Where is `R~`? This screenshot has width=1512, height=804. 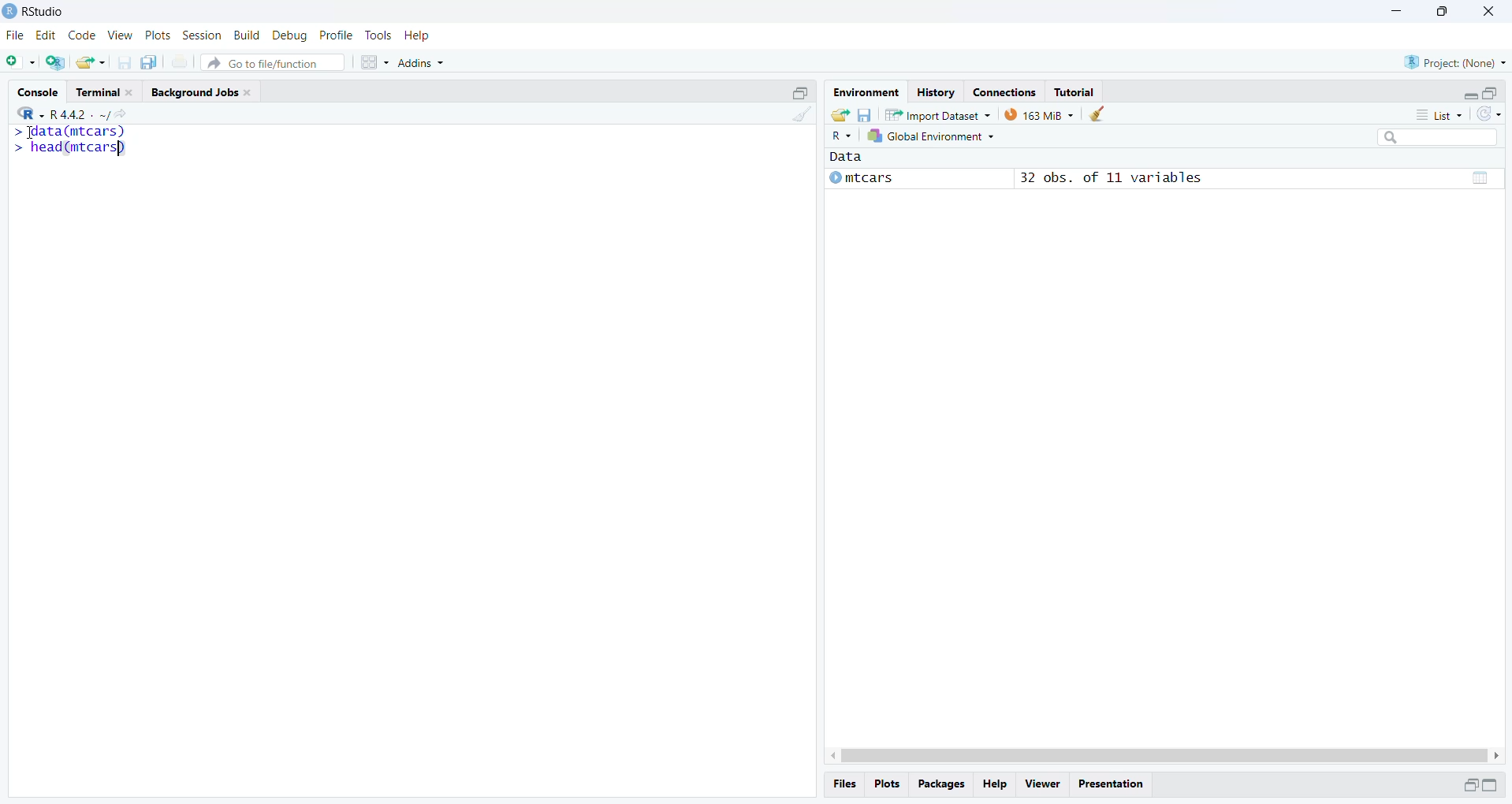 R~ is located at coordinates (844, 136).